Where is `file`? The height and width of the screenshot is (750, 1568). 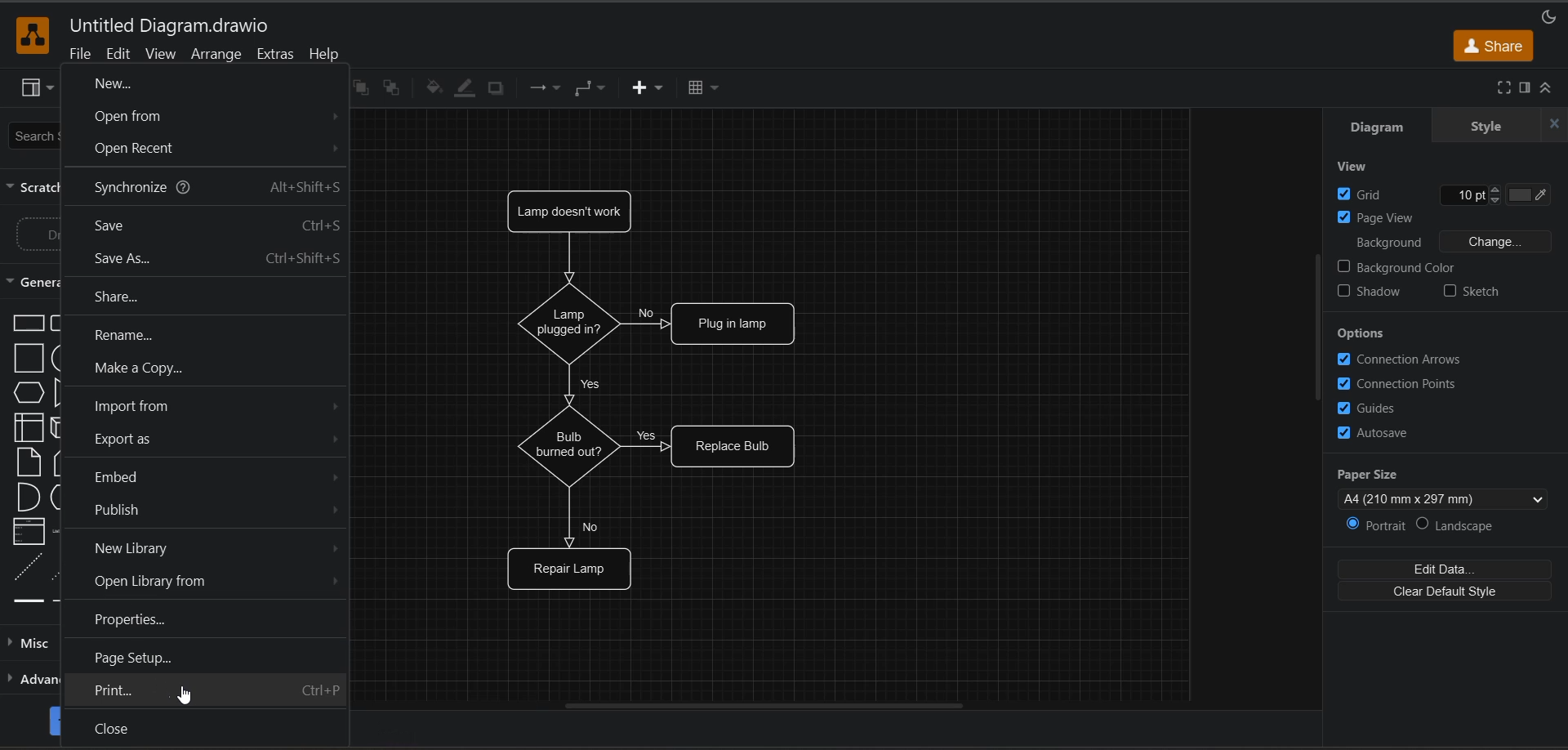 file is located at coordinates (74, 55).